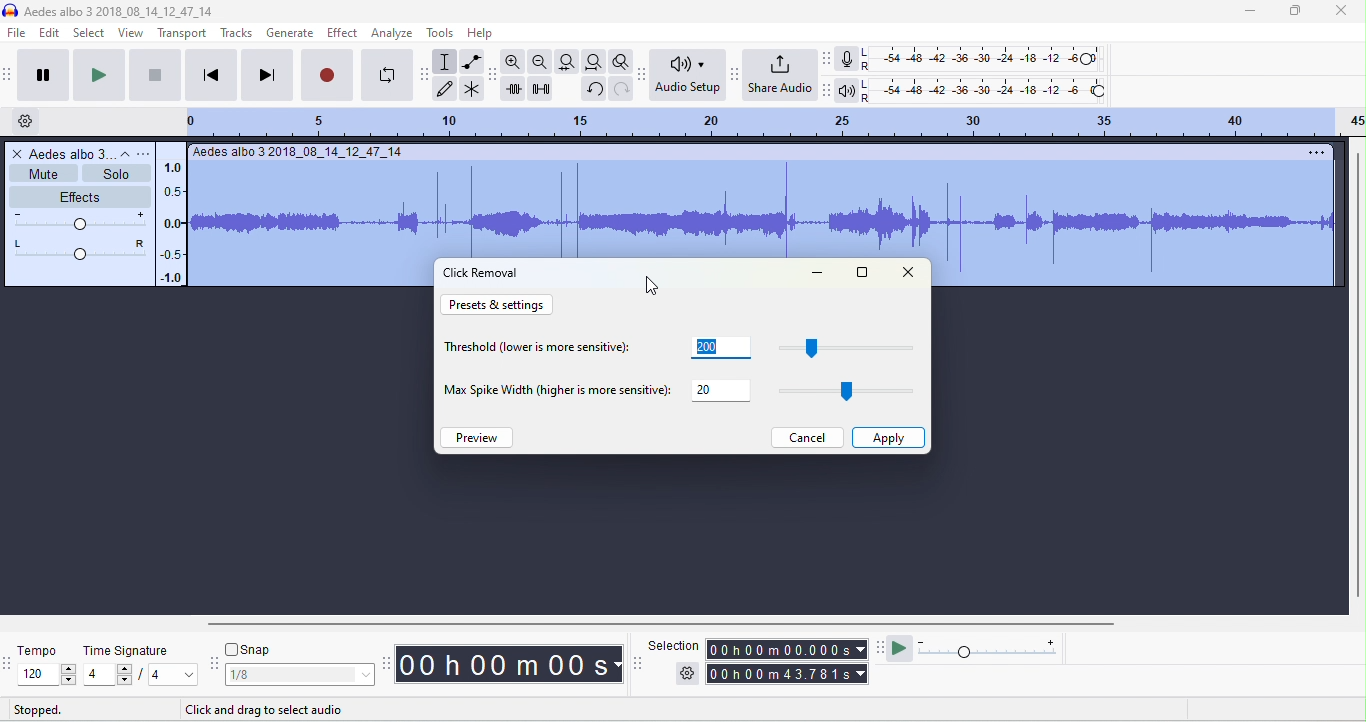  Describe the element at coordinates (46, 673) in the screenshot. I see `select tempo` at that location.